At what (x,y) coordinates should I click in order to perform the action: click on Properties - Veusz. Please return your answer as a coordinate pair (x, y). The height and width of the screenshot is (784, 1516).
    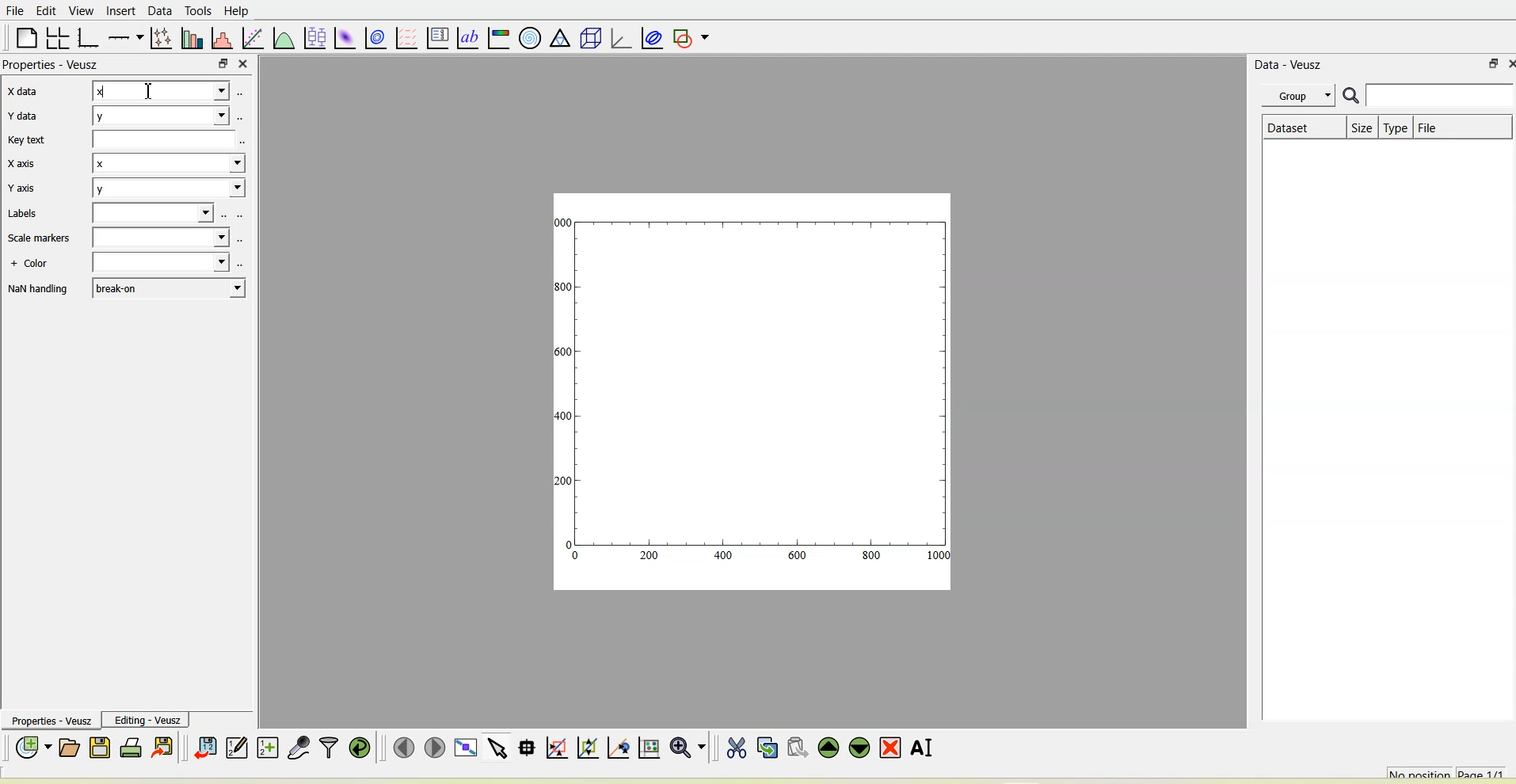
    Looking at the image, I should click on (53, 66).